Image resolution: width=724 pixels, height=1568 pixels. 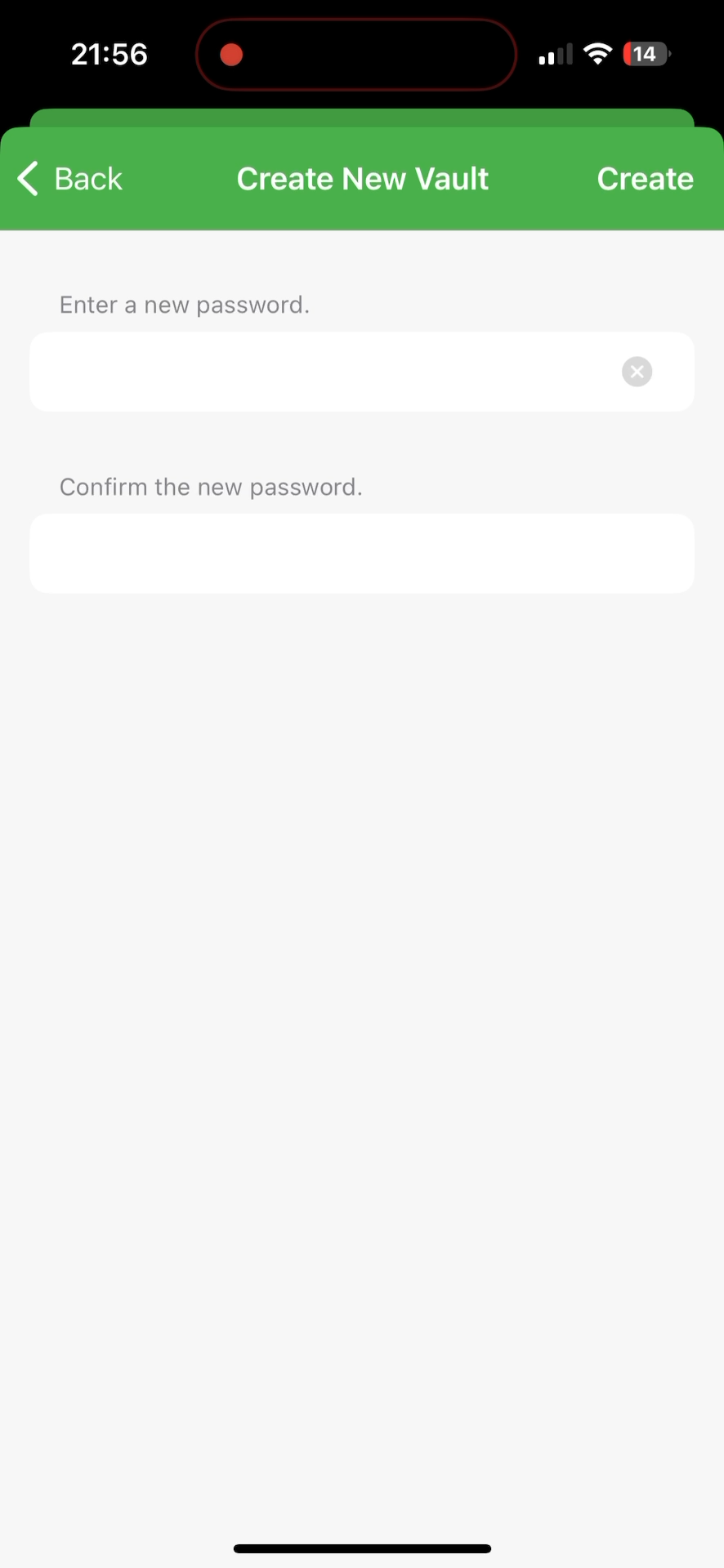 I want to click on confirm the new password, so click(x=216, y=485).